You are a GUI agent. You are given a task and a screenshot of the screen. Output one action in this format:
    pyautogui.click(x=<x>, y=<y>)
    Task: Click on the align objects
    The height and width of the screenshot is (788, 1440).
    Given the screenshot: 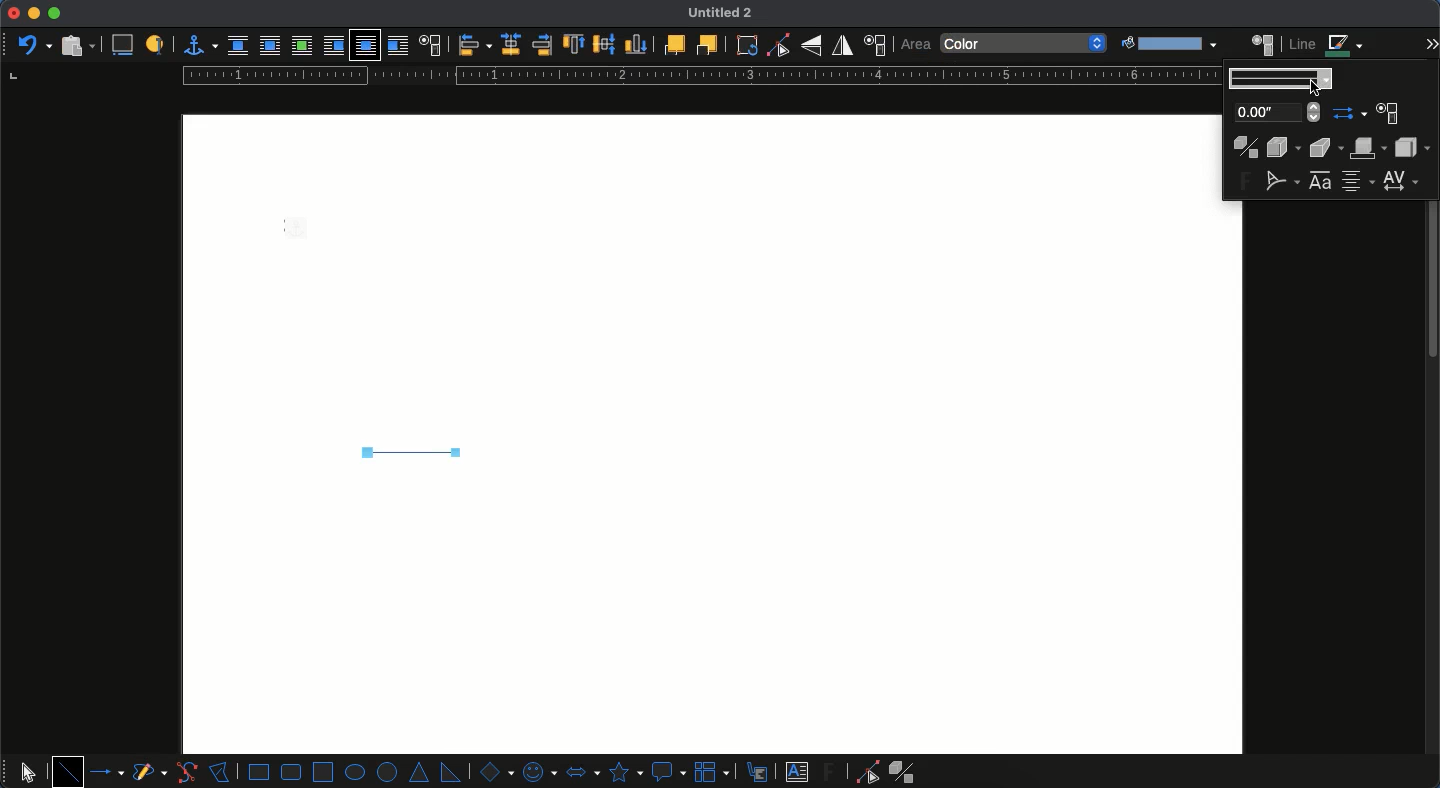 What is the action you would take?
    pyautogui.click(x=475, y=45)
    